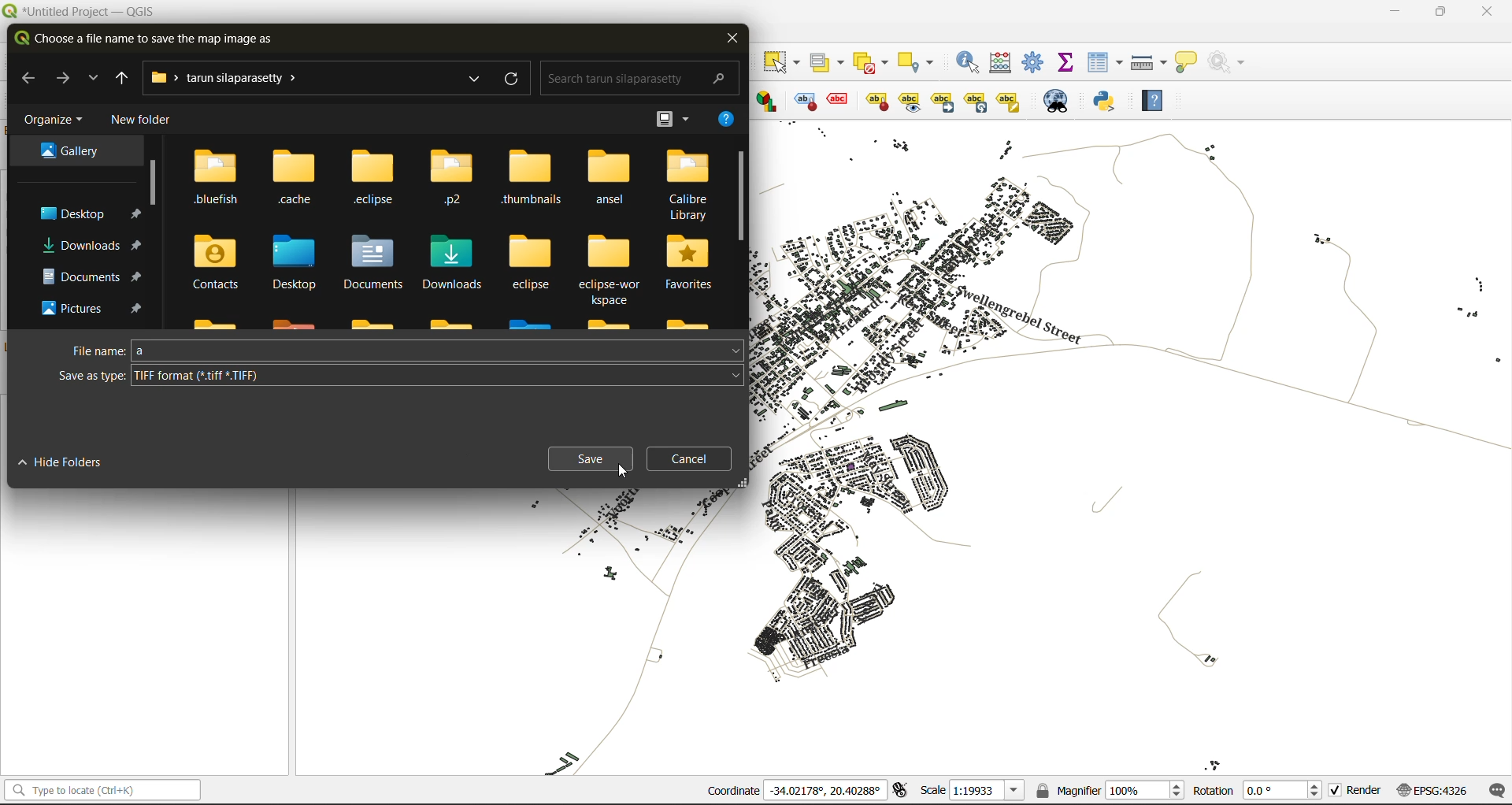  I want to click on hide folders, so click(72, 465).